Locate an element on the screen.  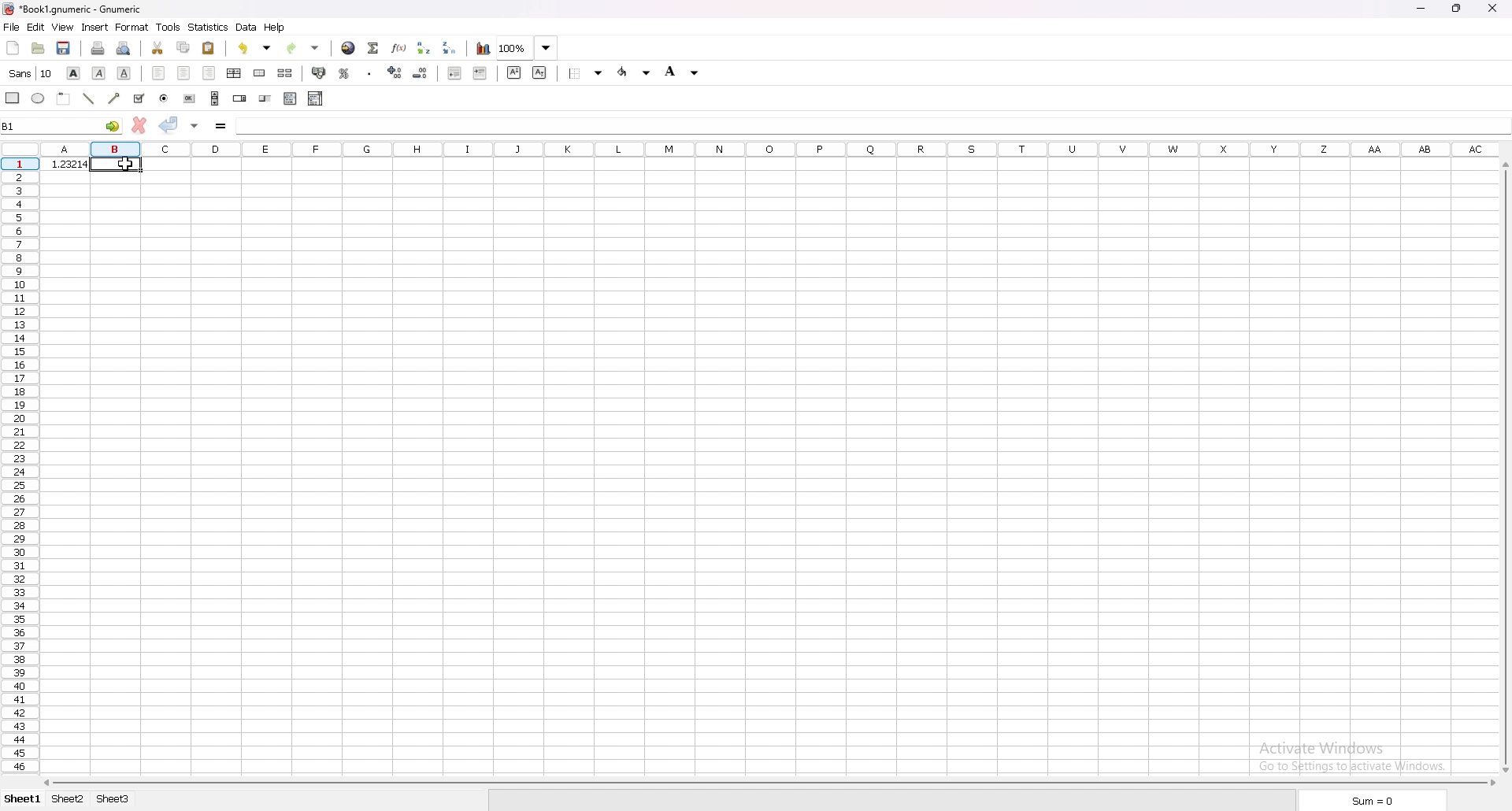
minimize is located at coordinates (1422, 7).